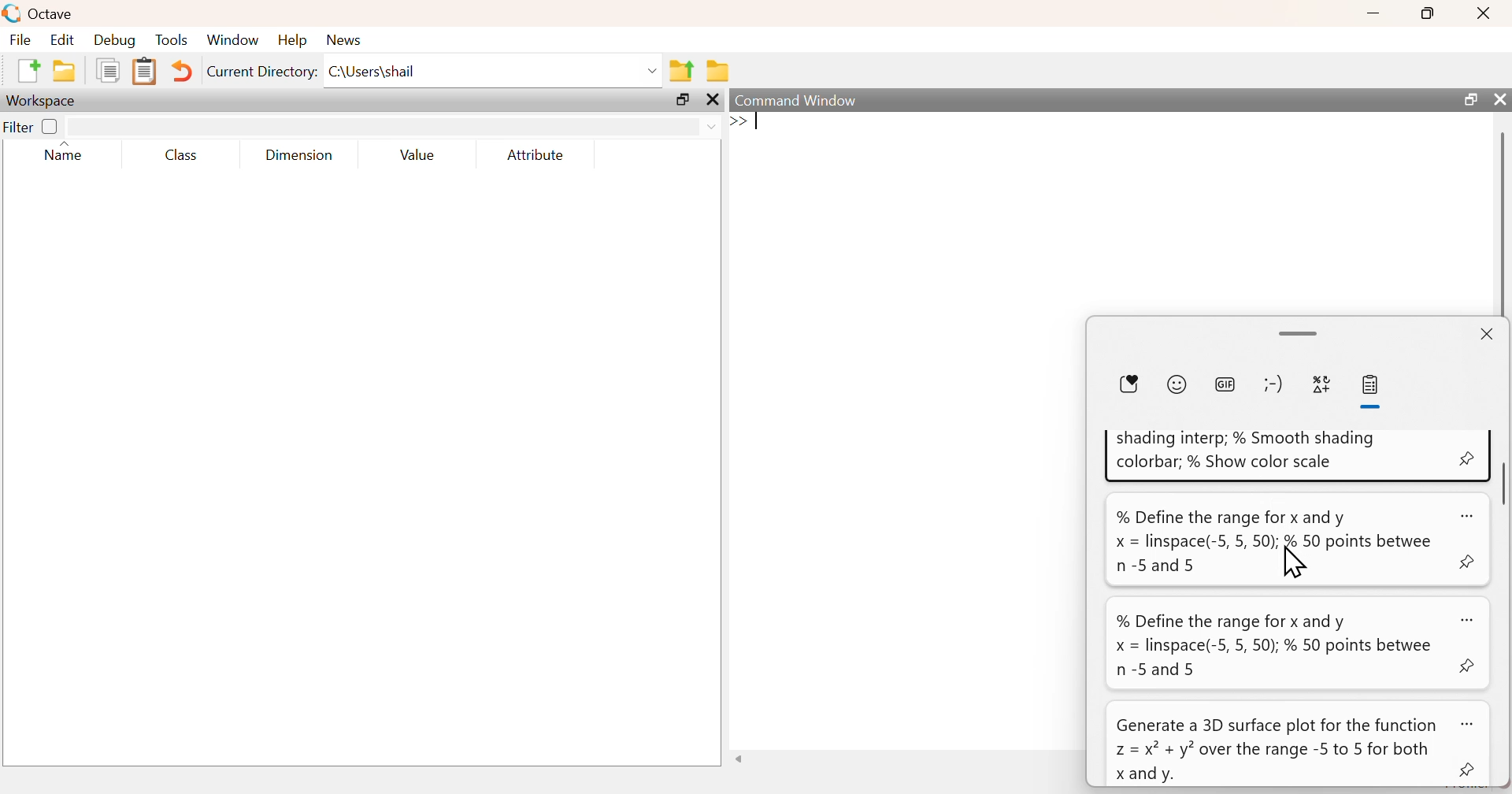  What do you see at coordinates (1274, 541) in the screenshot?
I see `% Define the range for x and y
x = linspace(-5, 5, 50); % 50 points betwee
n-5and 5` at bounding box center [1274, 541].